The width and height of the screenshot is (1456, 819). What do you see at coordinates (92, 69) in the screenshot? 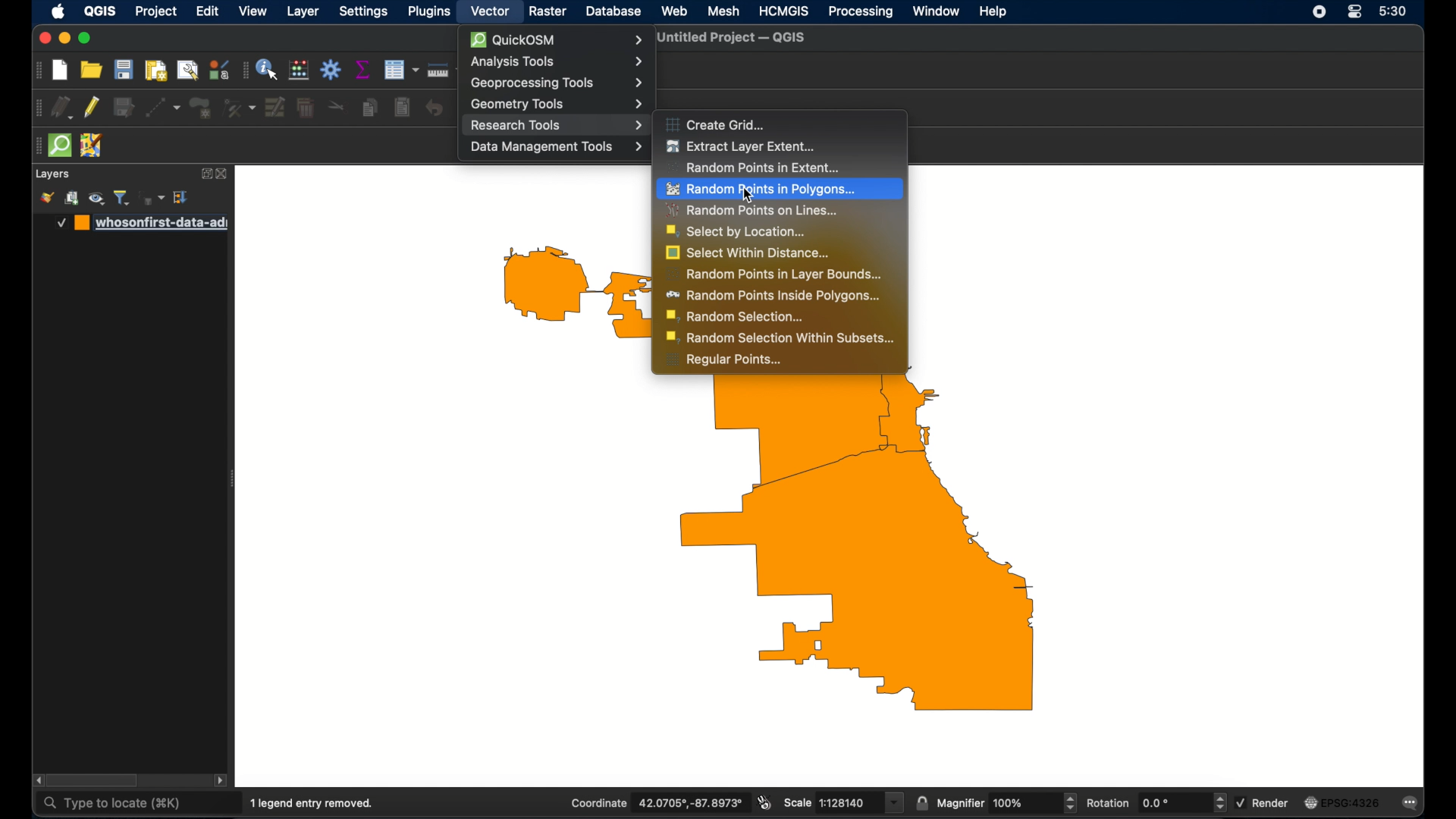
I see `open project` at bounding box center [92, 69].